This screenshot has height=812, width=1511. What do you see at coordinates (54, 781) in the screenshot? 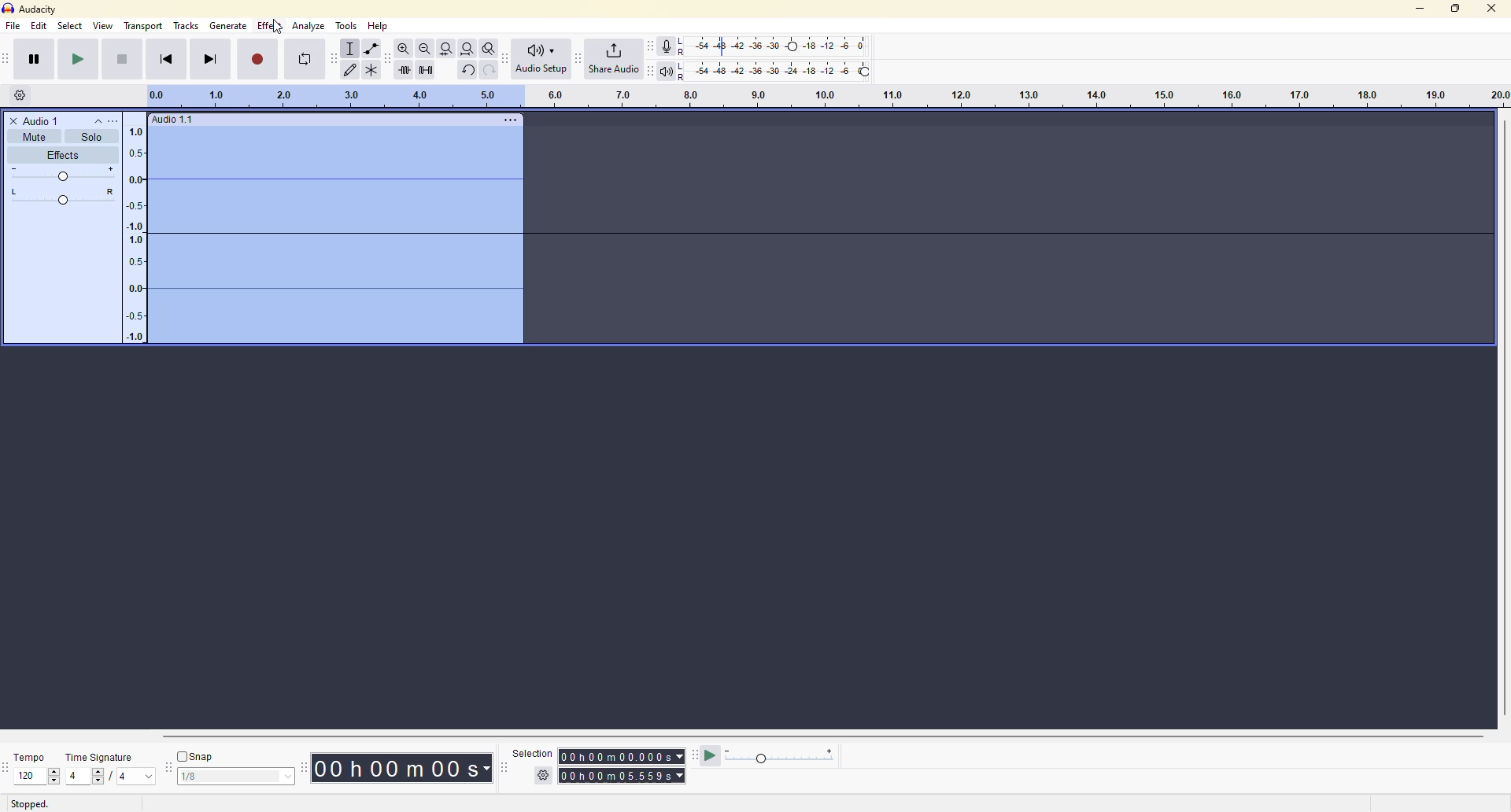
I see `down` at bounding box center [54, 781].